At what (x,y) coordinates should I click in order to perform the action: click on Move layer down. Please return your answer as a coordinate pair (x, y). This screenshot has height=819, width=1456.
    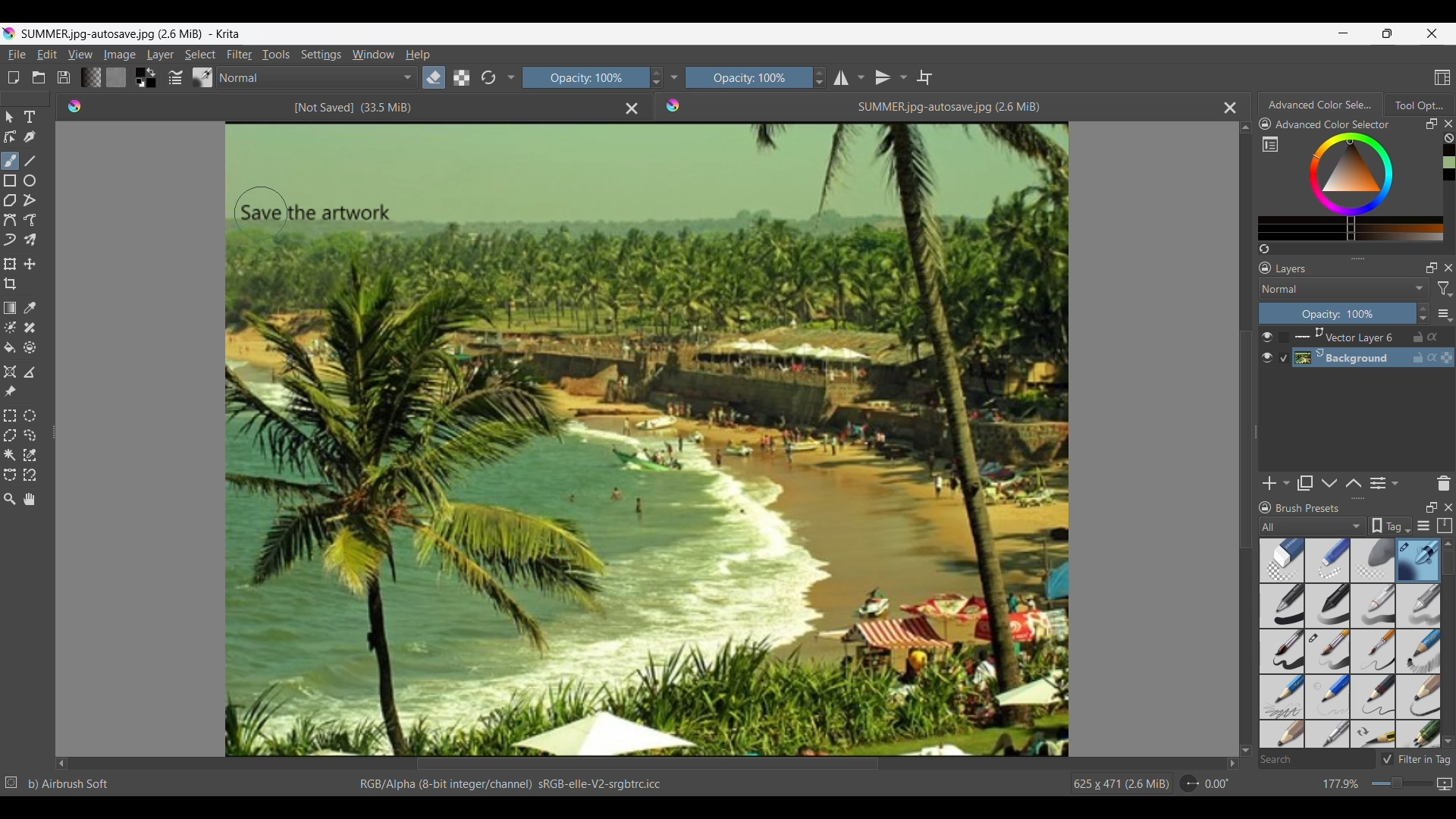
    Looking at the image, I should click on (1329, 483).